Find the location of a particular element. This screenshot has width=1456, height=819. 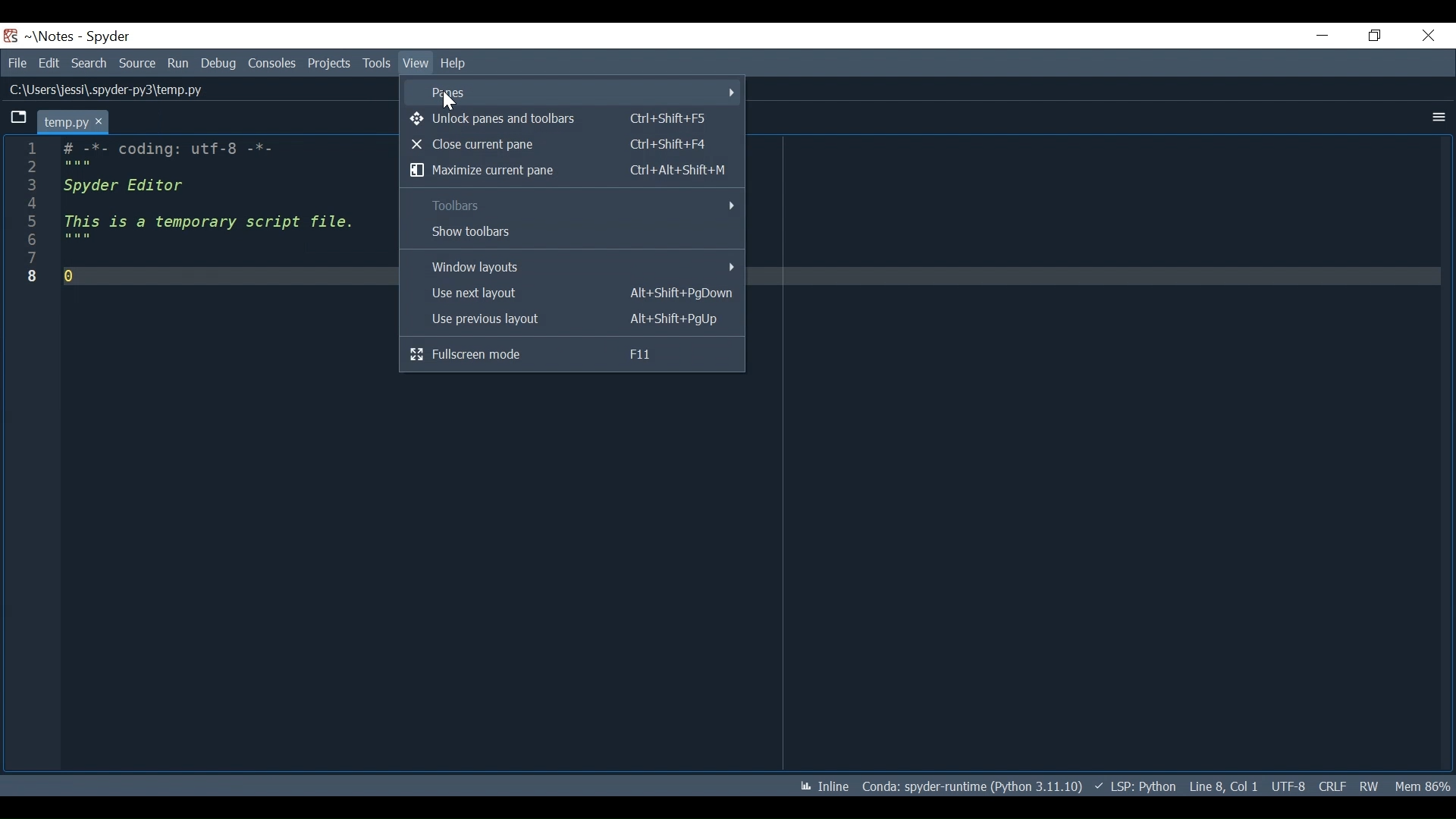

View is located at coordinates (415, 63).